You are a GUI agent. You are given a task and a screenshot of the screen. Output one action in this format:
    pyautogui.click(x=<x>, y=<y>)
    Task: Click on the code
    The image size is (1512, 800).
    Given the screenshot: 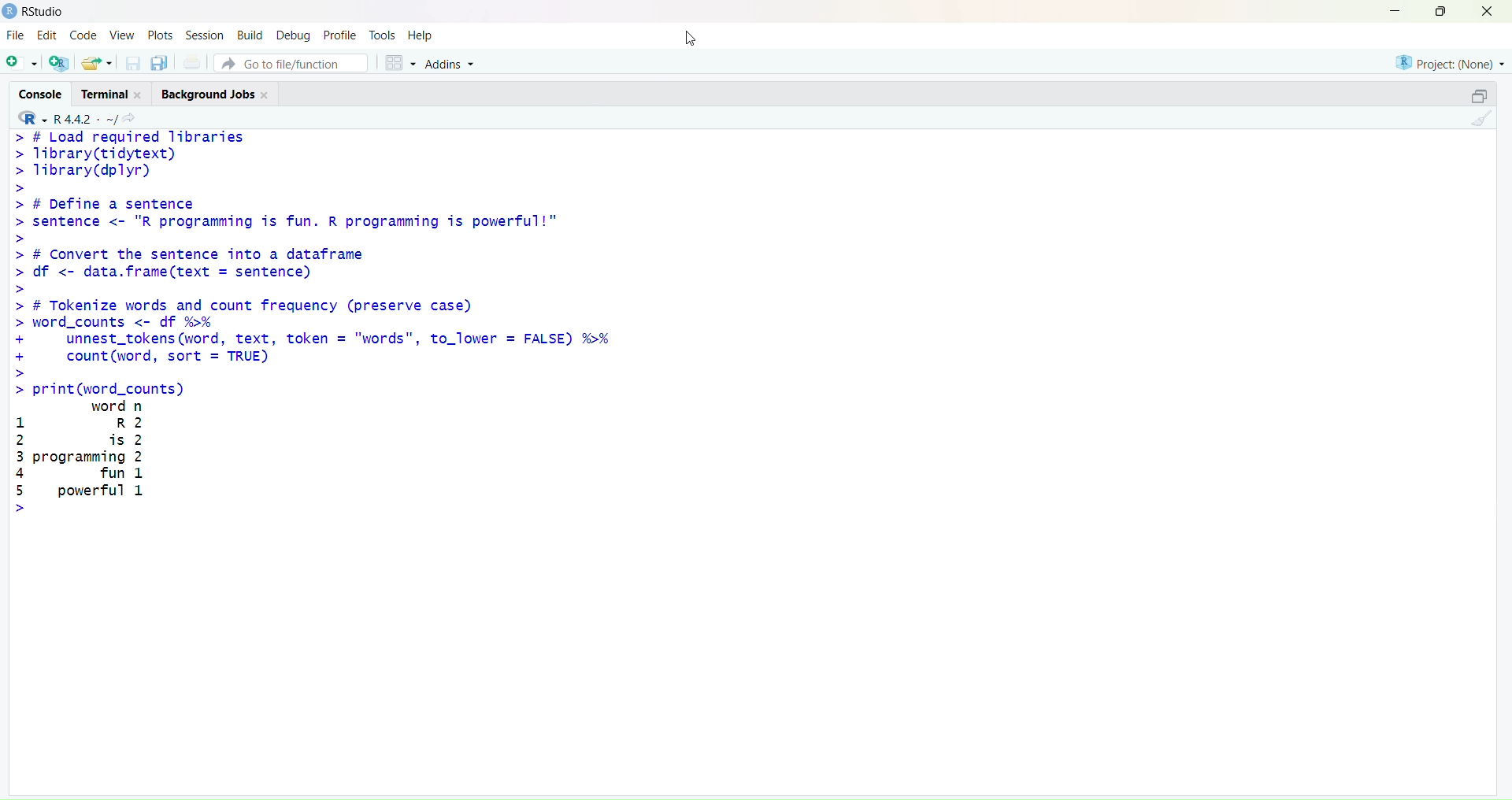 What is the action you would take?
    pyautogui.click(x=87, y=36)
    